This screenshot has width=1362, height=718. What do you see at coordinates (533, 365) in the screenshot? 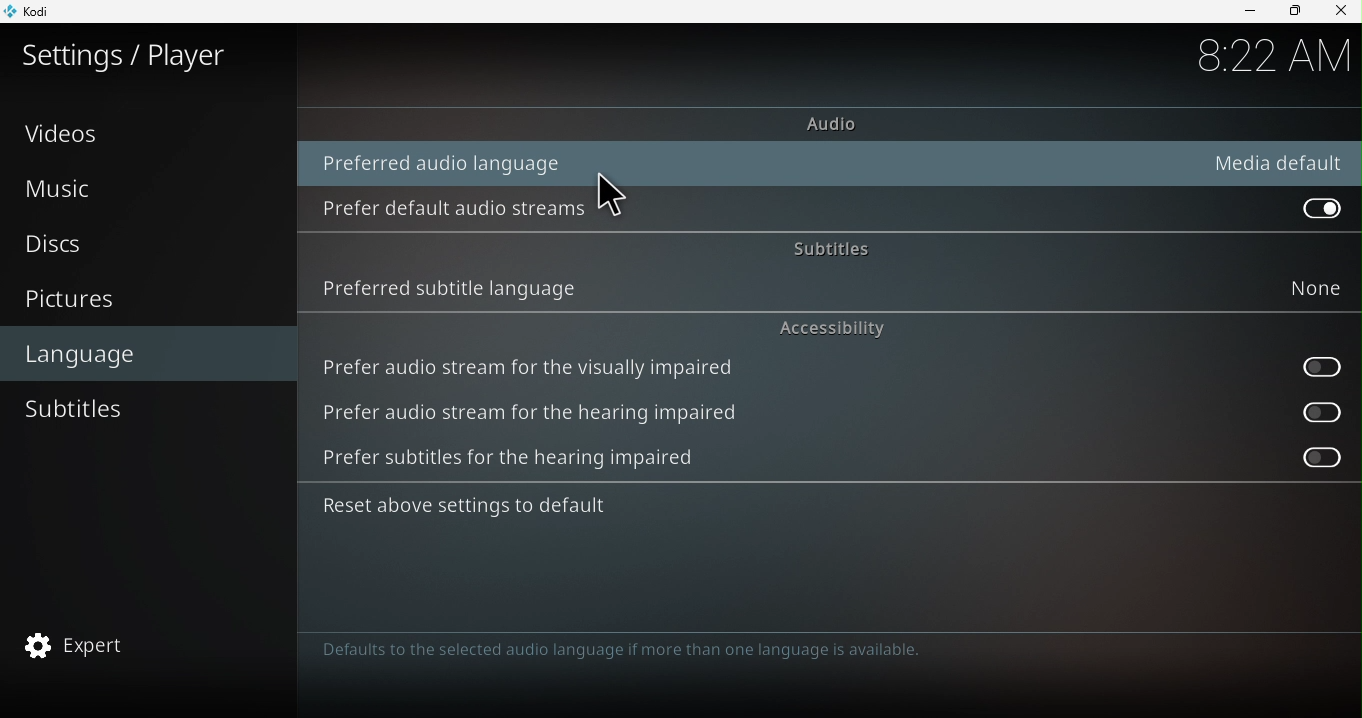
I see `Prefer audio stream for the visually impaired` at bounding box center [533, 365].